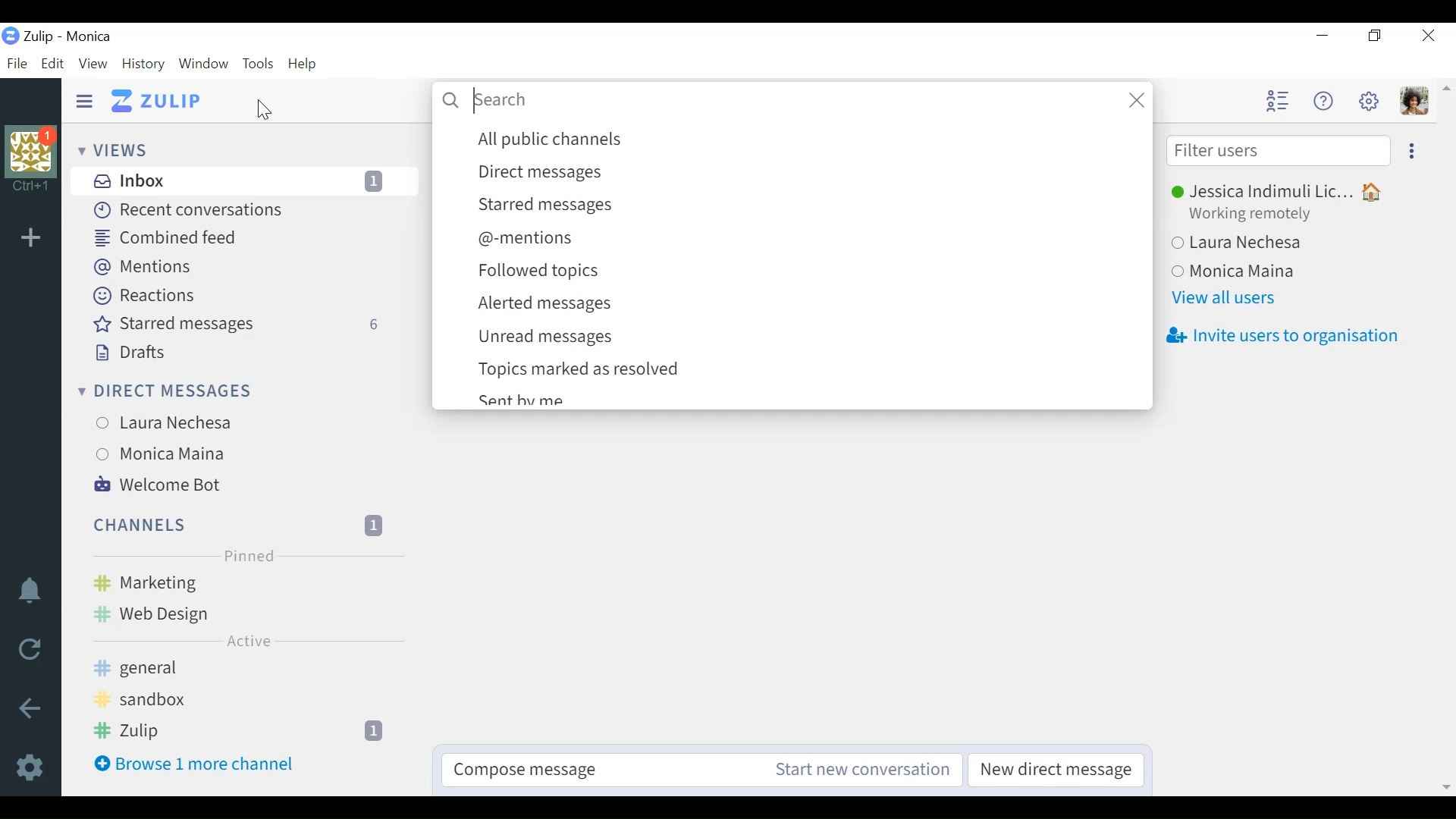 This screenshot has width=1456, height=819. What do you see at coordinates (811, 174) in the screenshot?
I see `Direct messages` at bounding box center [811, 174].